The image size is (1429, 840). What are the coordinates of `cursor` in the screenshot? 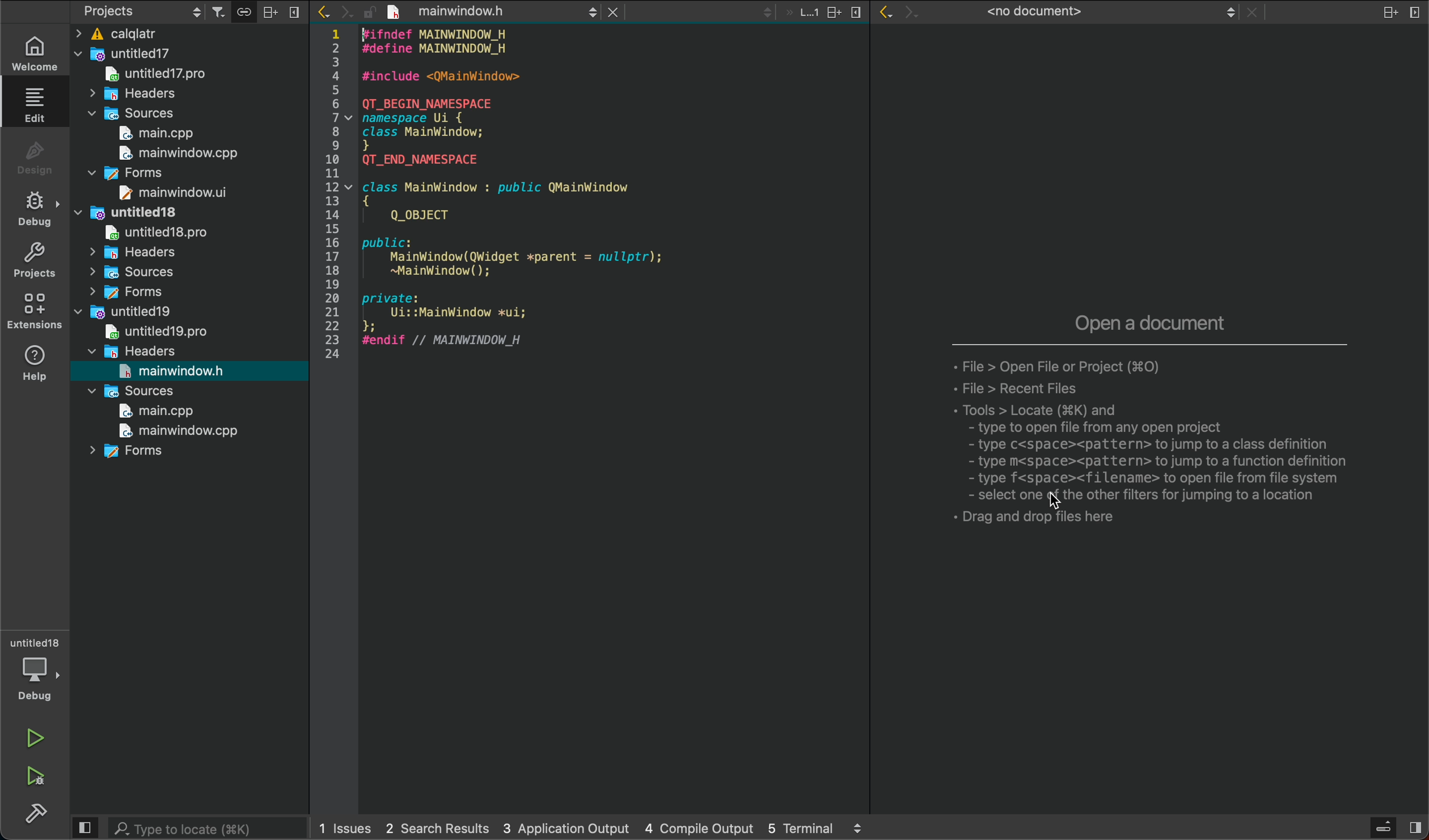 It's located at (1054, 503).